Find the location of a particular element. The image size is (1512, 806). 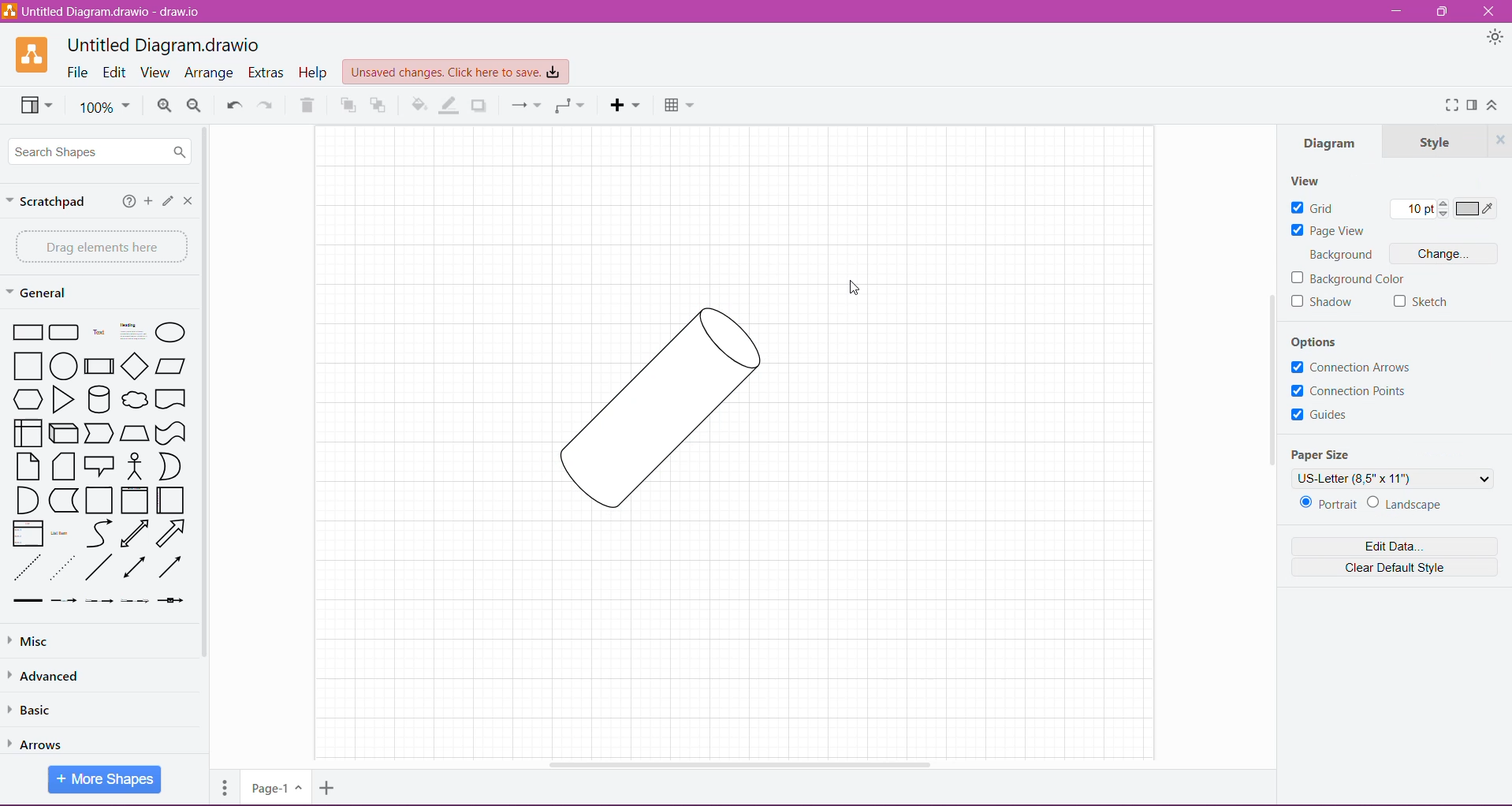

Guides is located at coordinates (1324, 417).